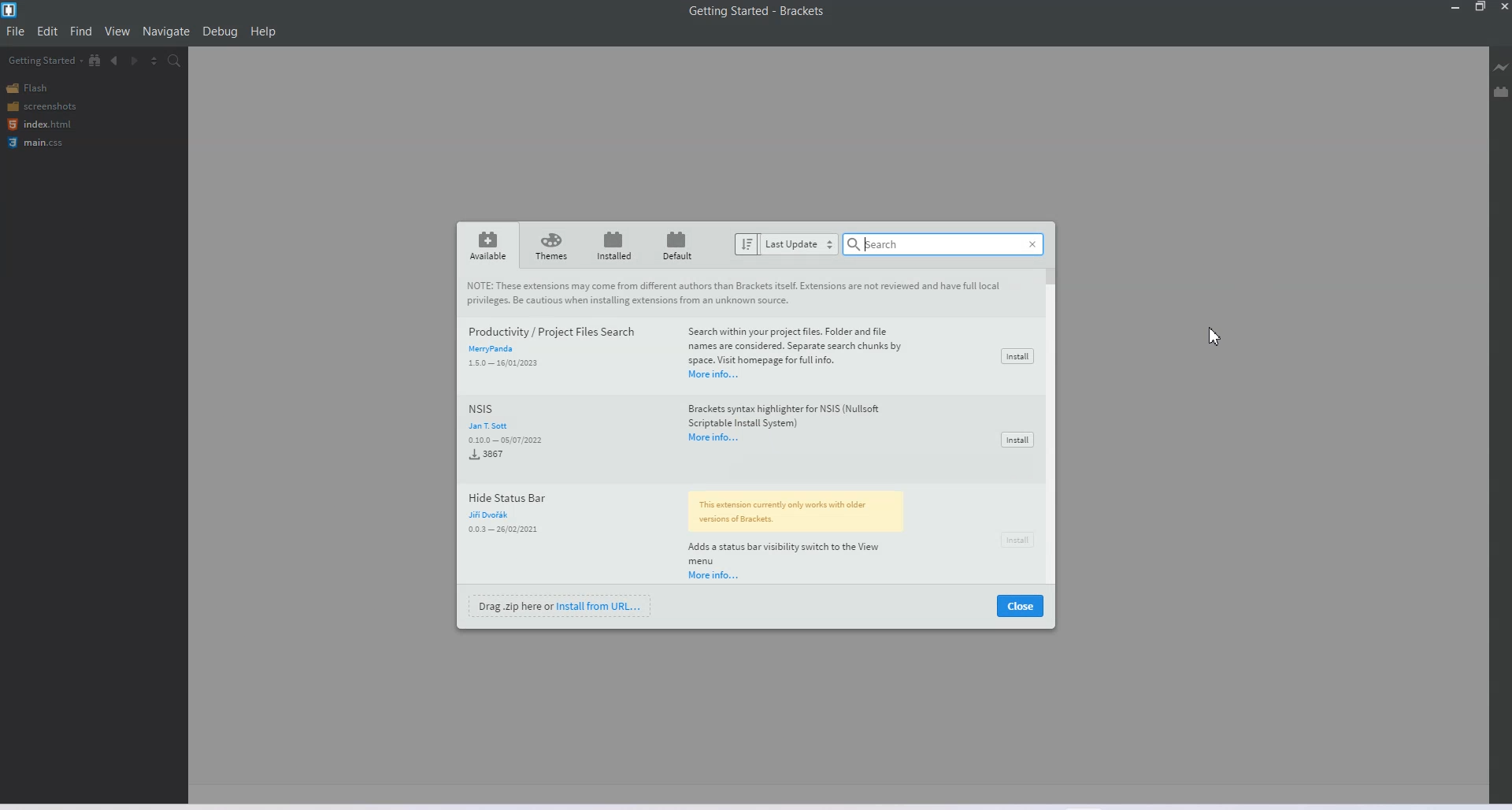 The width and height of the screenshot is (1512, 810). What do you see at coordinates (506, 409) in the screenshot?
I see `nsis` at bounding box center [506, 409].